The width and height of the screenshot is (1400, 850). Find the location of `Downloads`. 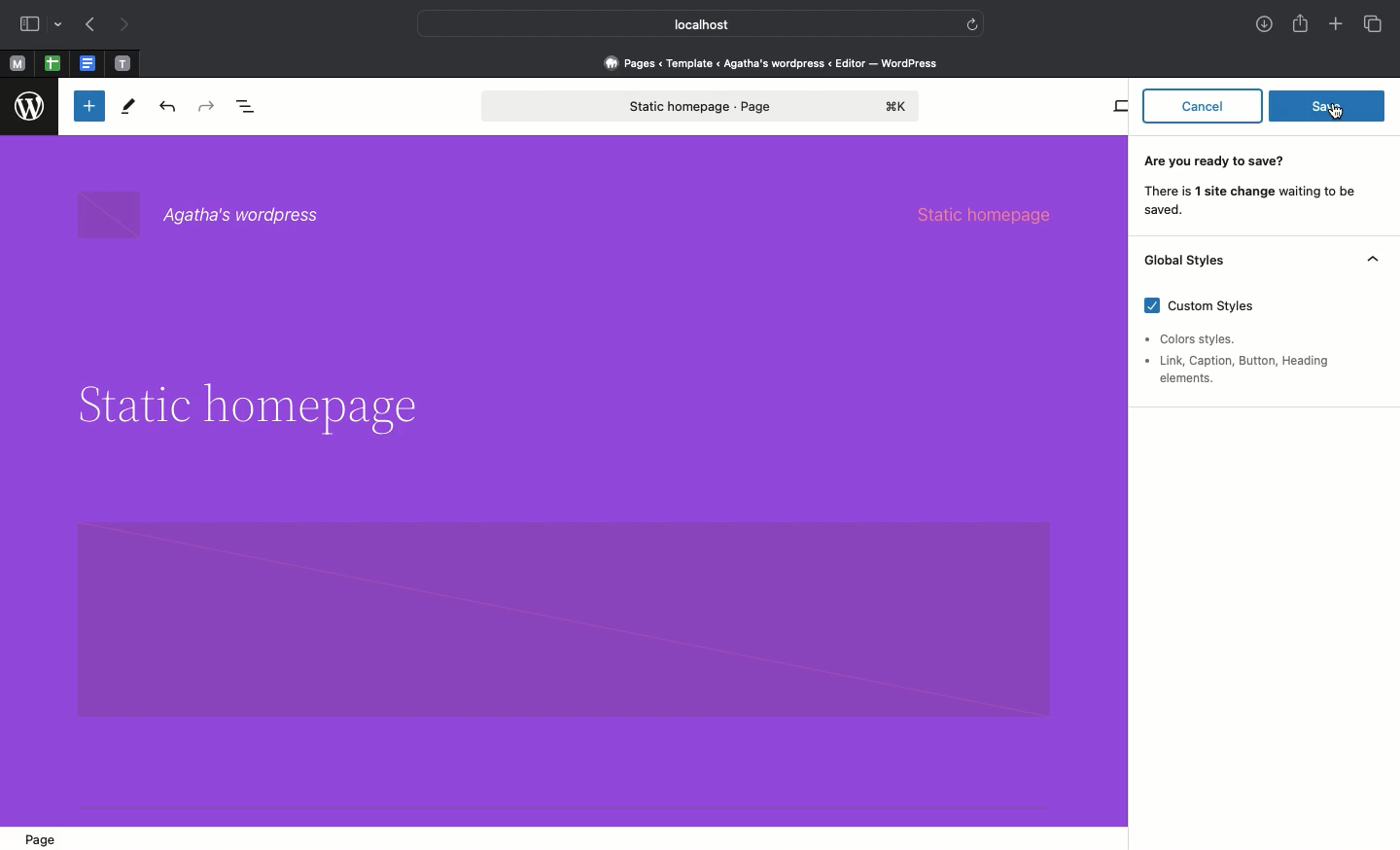

Downloads is located at coordinates (1266, 26).